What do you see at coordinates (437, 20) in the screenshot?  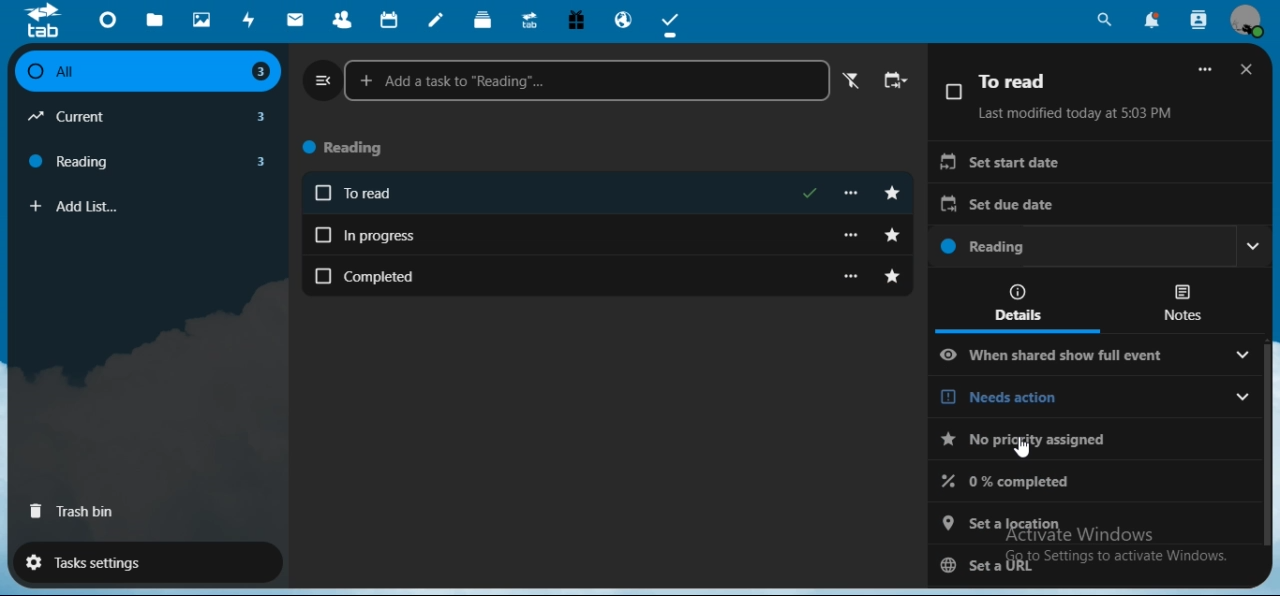 I see `notes` at bounding box center [437, 20].